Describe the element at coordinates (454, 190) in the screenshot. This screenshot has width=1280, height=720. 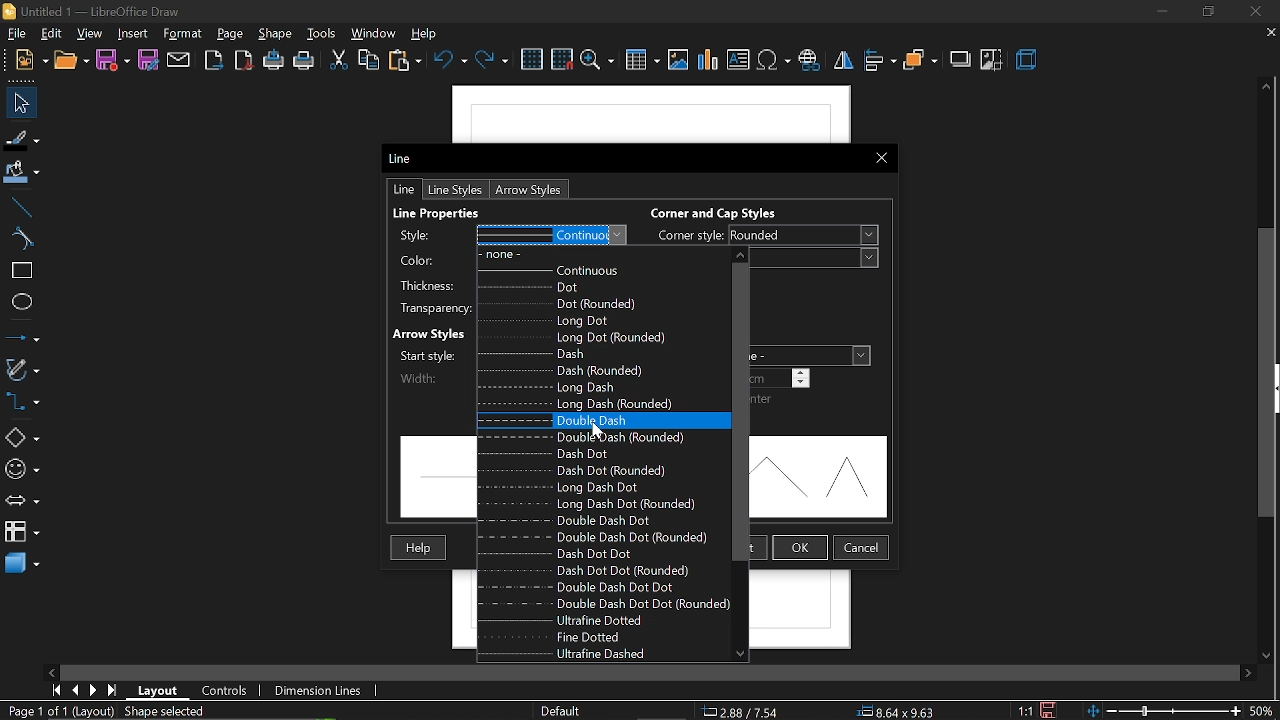
I see `line styles` at that location.